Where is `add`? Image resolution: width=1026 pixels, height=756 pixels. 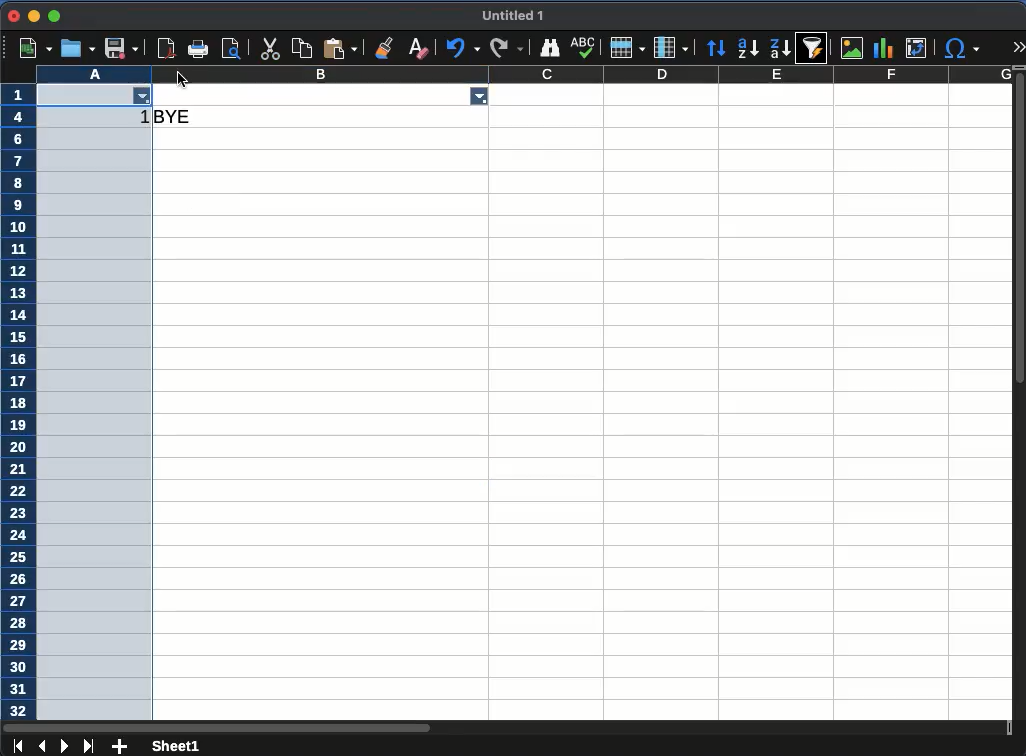 add is located at coordinates (119, 746).